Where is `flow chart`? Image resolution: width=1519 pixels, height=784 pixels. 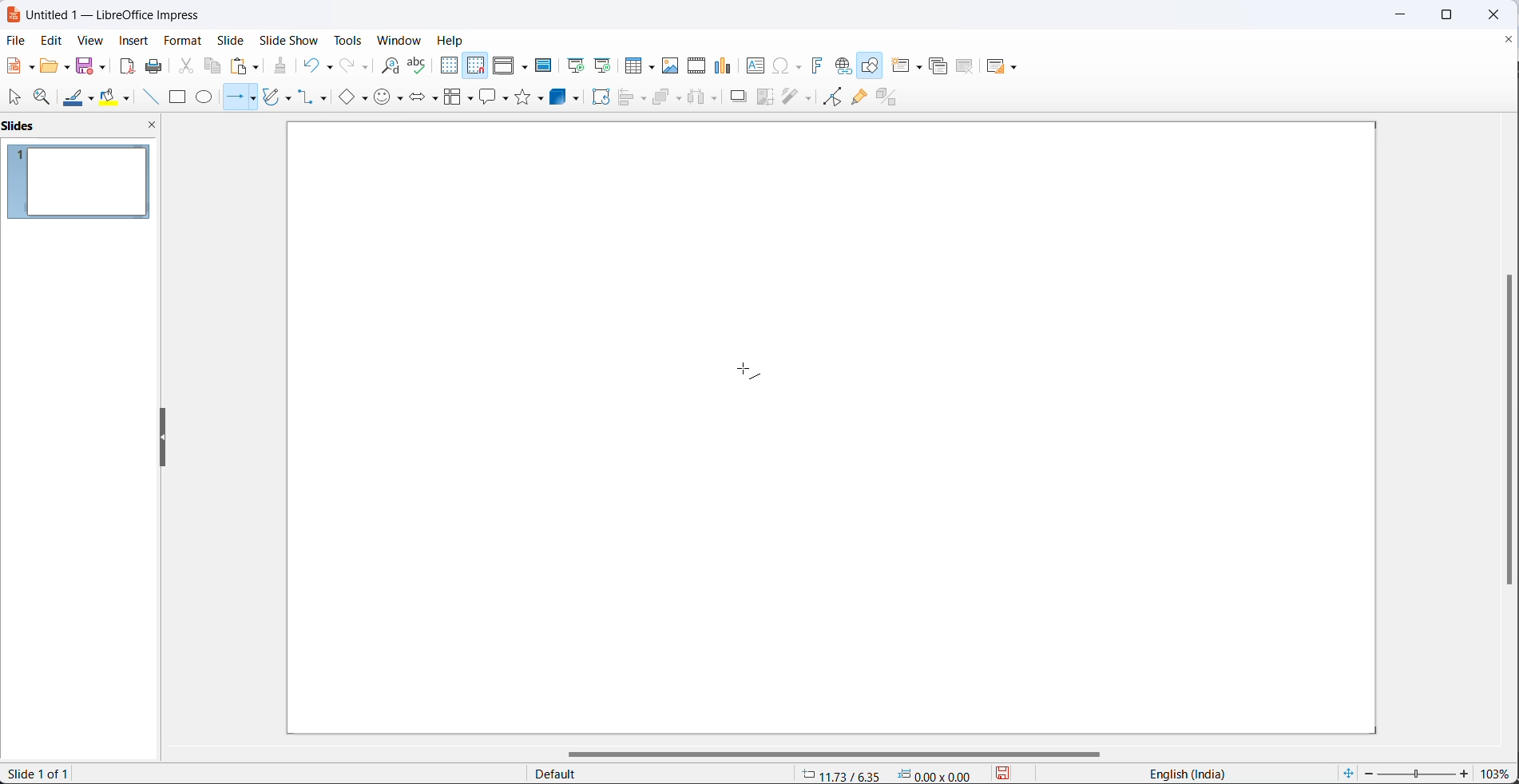 flow chart is located at coordinates (455, 97).